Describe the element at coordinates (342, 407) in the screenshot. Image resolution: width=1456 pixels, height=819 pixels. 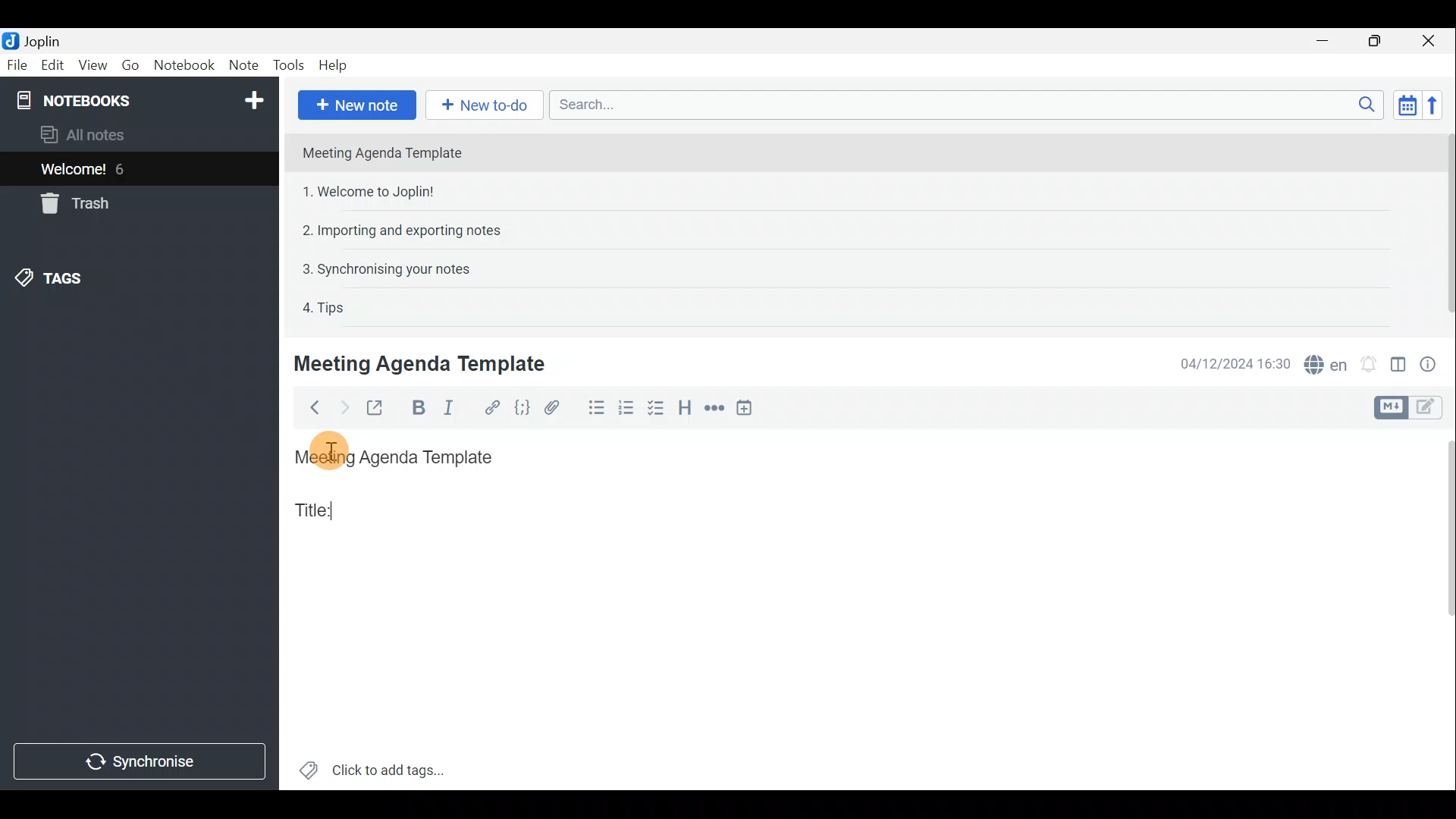
I see `Forward` at that location.